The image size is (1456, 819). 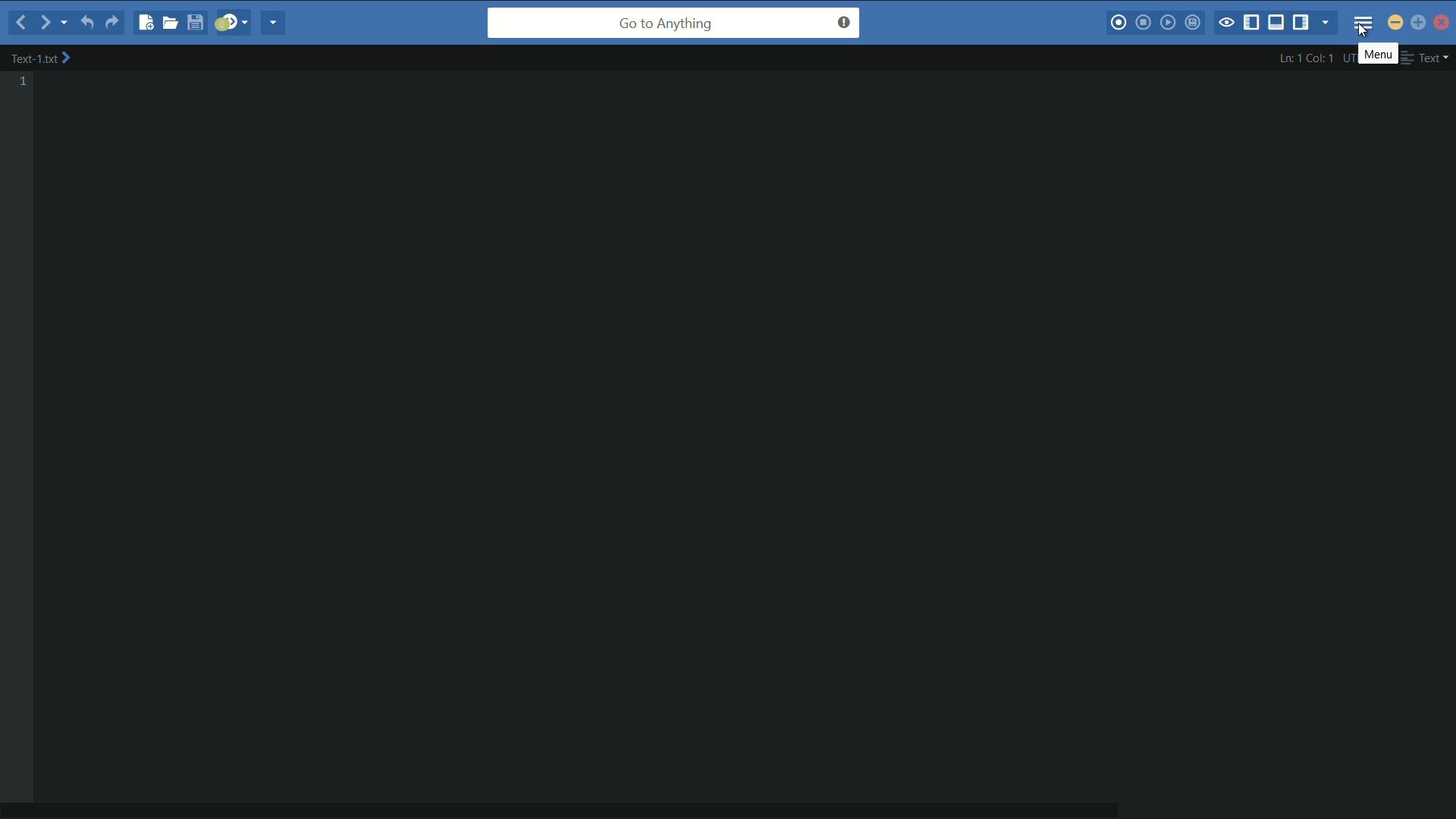 I want to click on stop macros, so click(x=1144, y=24).